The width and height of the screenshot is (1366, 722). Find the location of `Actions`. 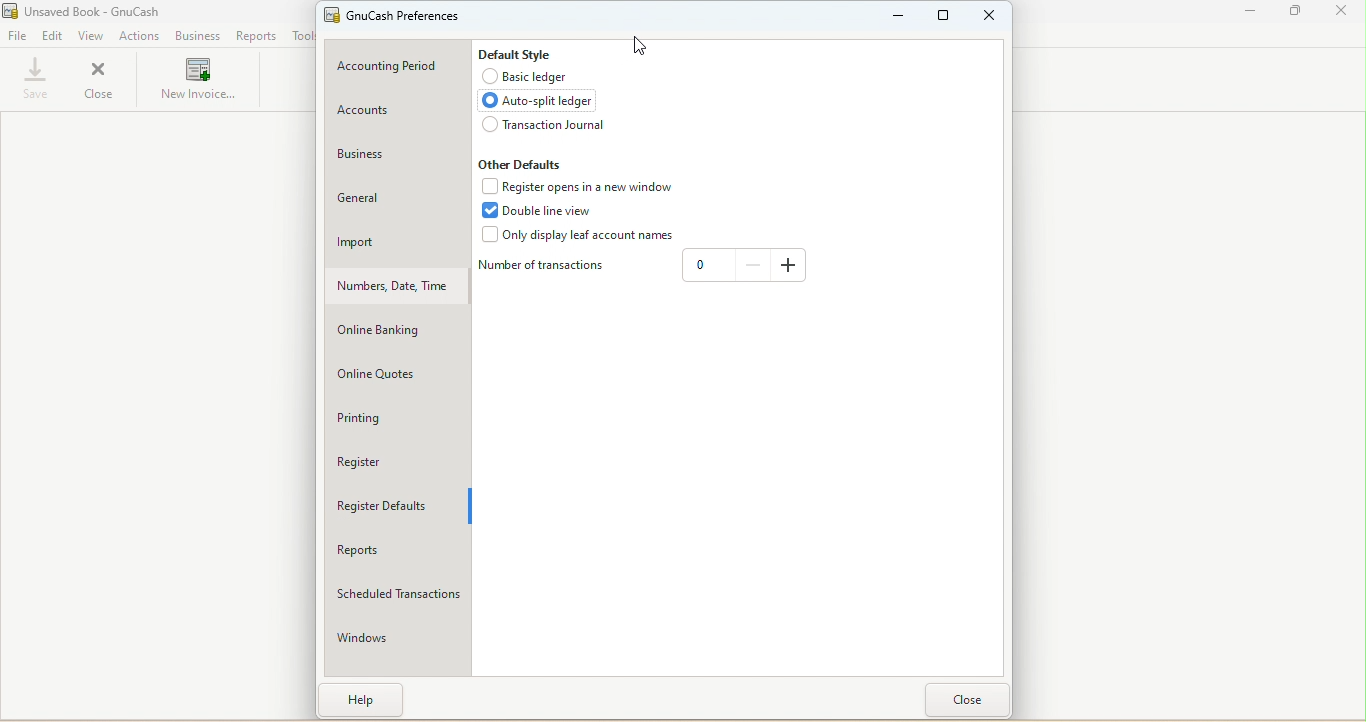

Actions is located at coordinates (140, 37).